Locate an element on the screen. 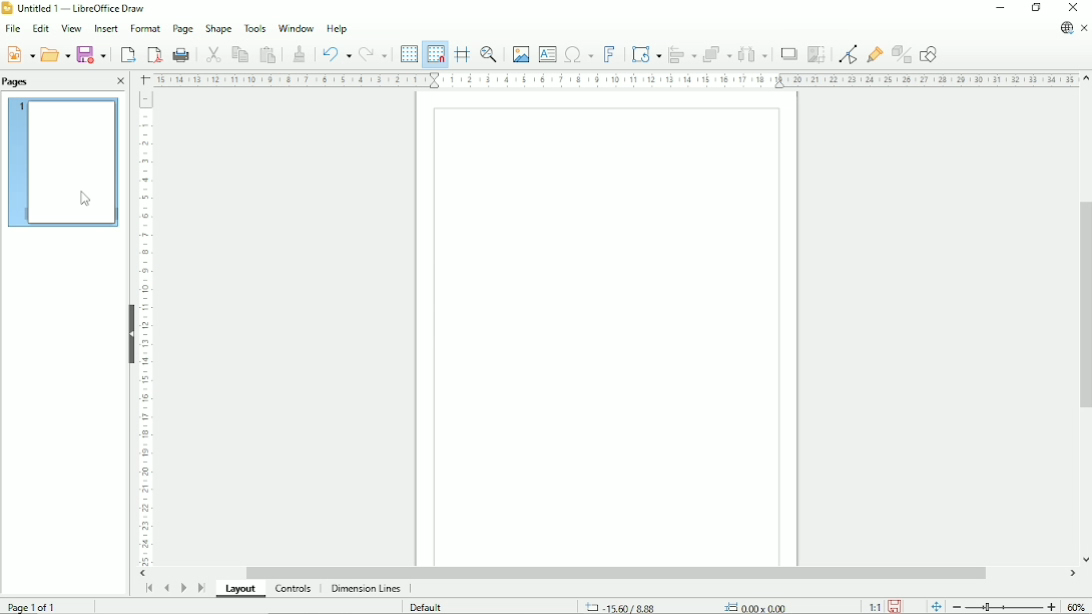 The height and width of the screenshot is (614, 1092). View is located at coordinates (70, 28).